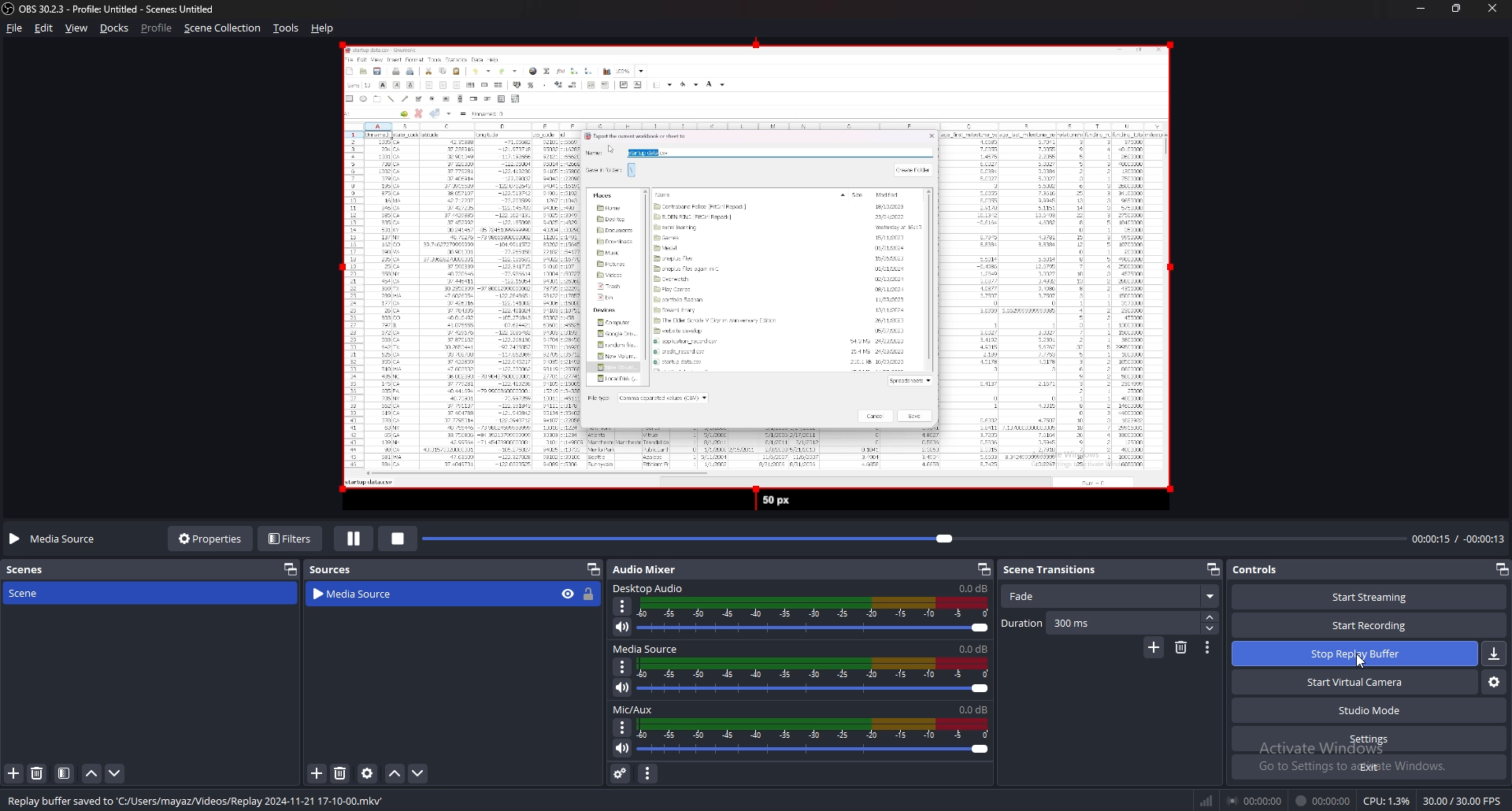 The height and width of the screenshot is (811, 1512). I want to click on resize, so click(1455, 8).